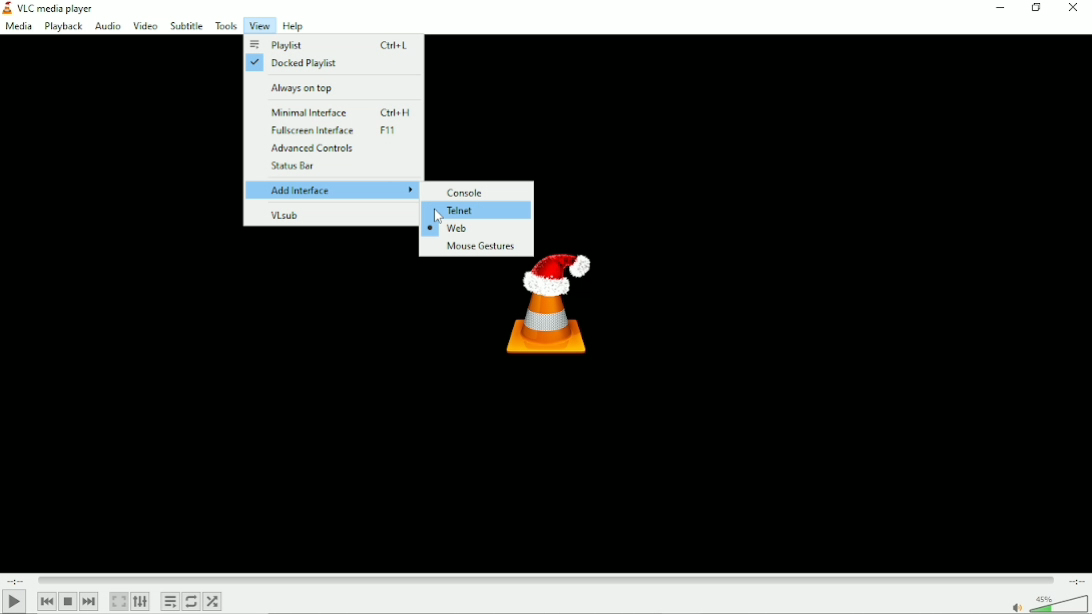 The height and width of the screenshot is (614, 1092). Describe the element at coordinates (16, 580) in the screenshot. I see `Elapsed time` at that location.